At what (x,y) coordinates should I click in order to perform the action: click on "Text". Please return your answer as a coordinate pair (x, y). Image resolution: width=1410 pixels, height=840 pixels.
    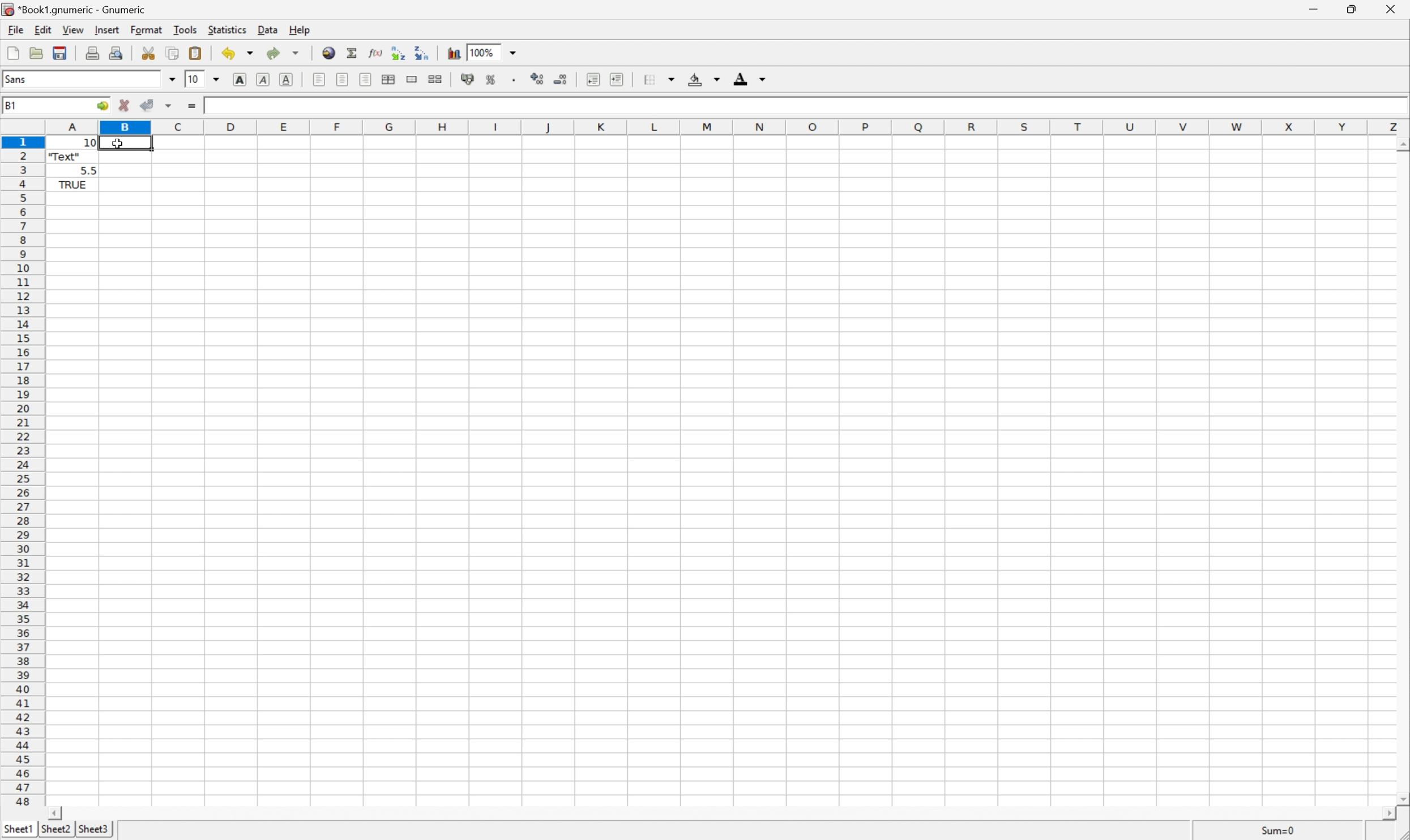
    Looking at the image, I should click on (65, 158).